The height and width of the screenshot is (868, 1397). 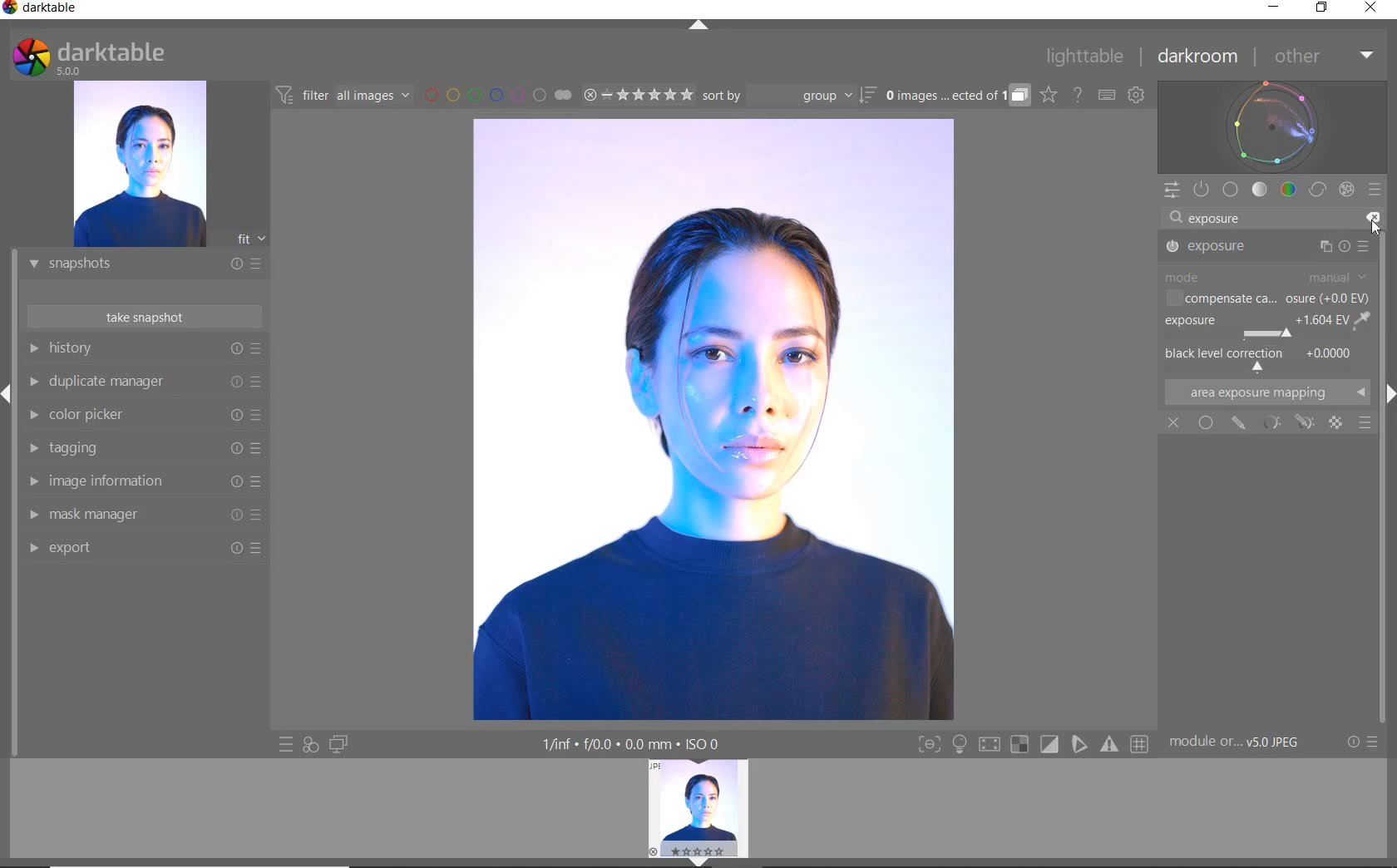 I want to click on EFFECT, so click(x=1346, y=189).